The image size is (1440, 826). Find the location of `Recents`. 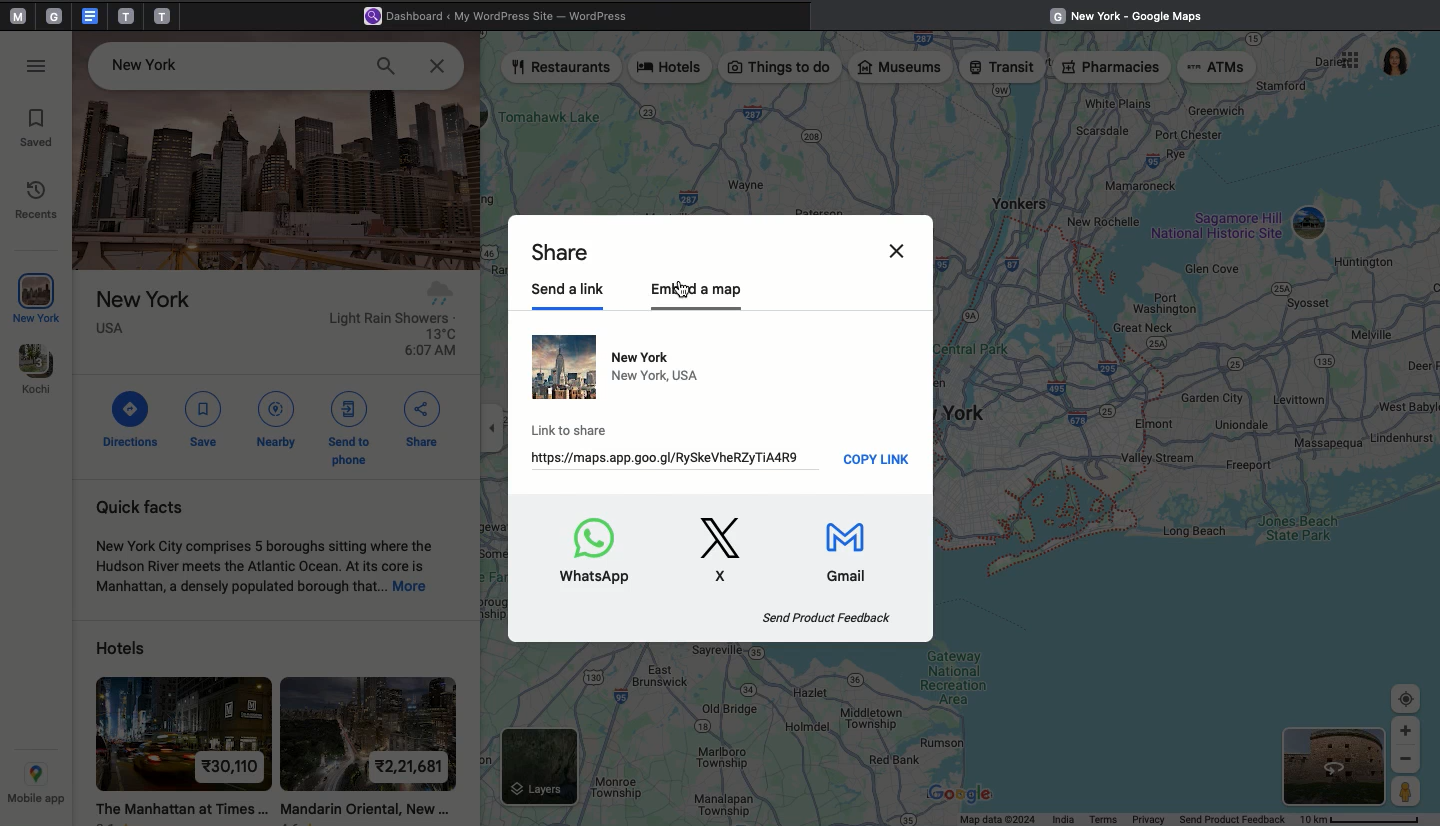

Recents is located at coordinates (39, 202).